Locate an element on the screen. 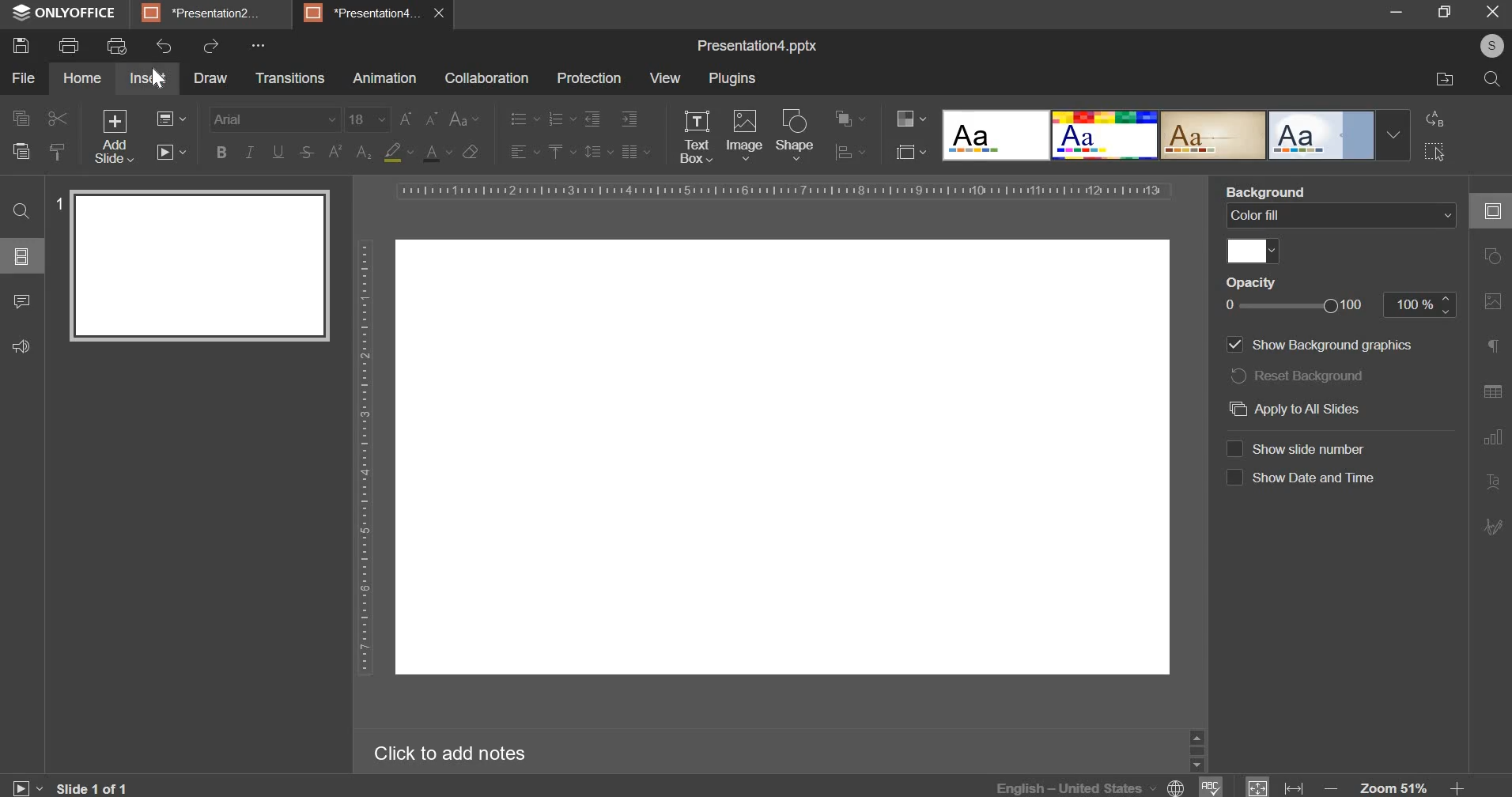 Image resolution: width=1512 pixels, height=797 pixels. select all is located at coordinates (1435, 152).